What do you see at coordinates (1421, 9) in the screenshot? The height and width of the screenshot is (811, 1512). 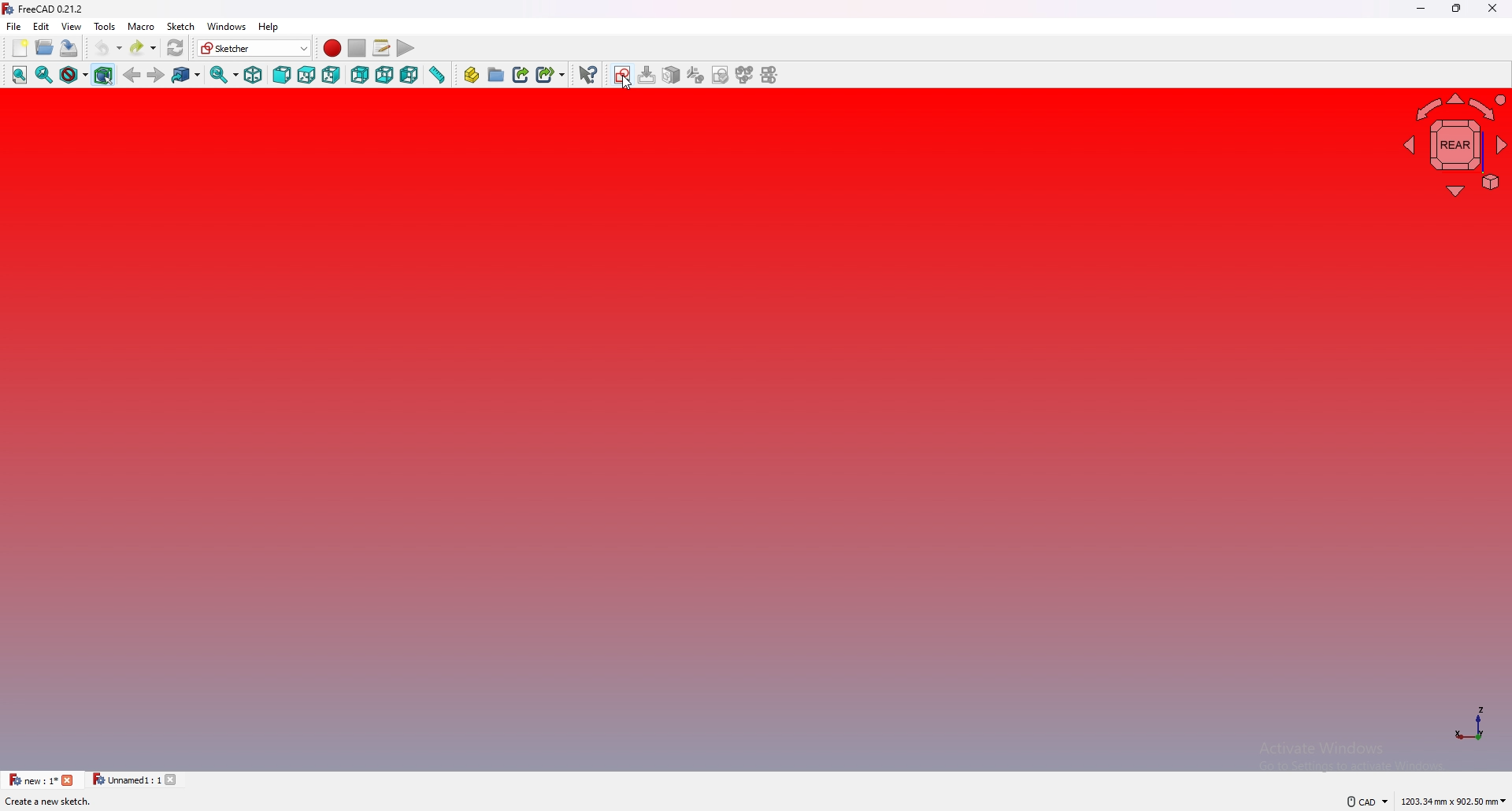 I see `minimize` at bounding box center [1421, 9].